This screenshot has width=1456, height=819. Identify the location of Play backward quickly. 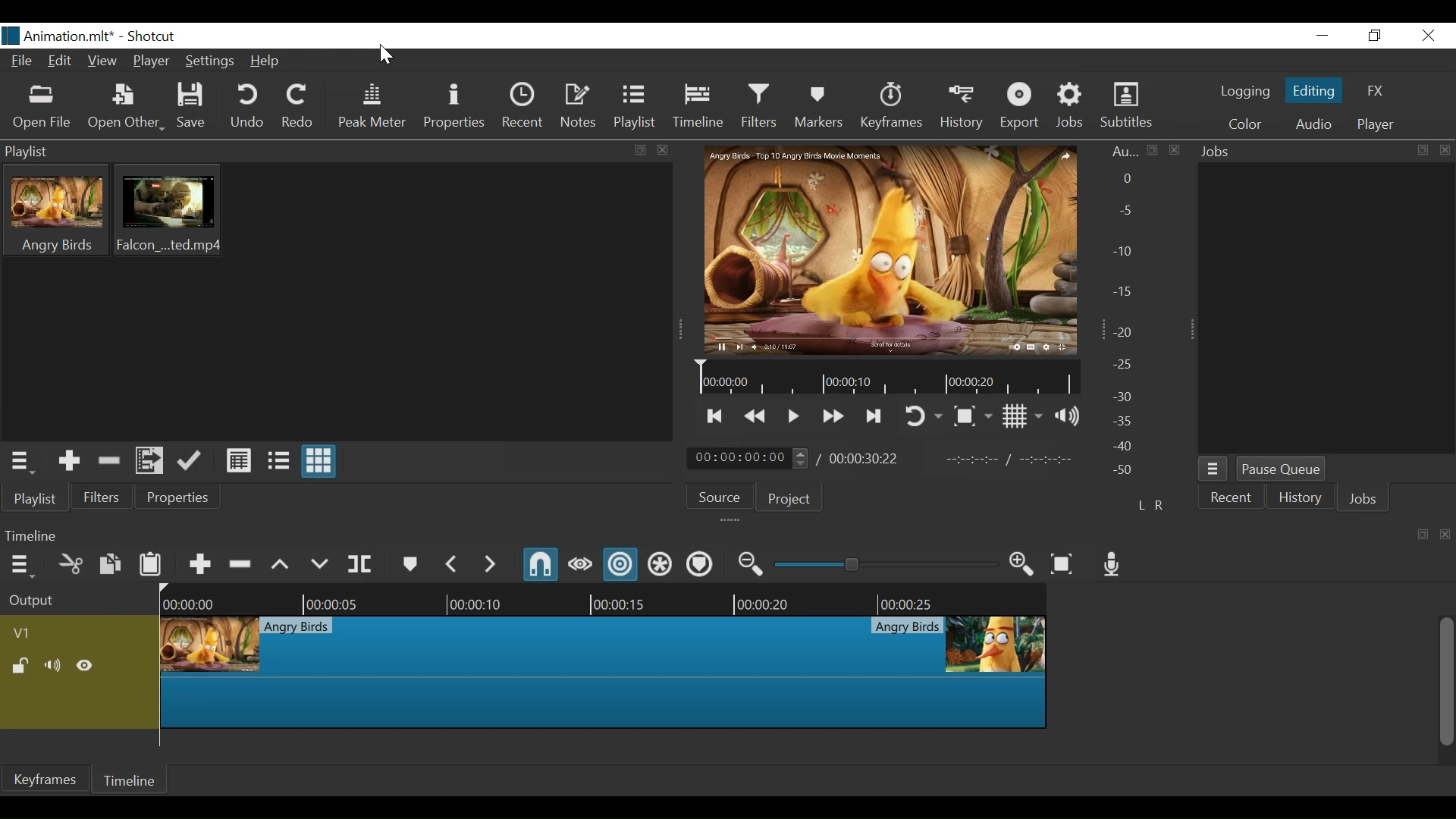
(754, 417).